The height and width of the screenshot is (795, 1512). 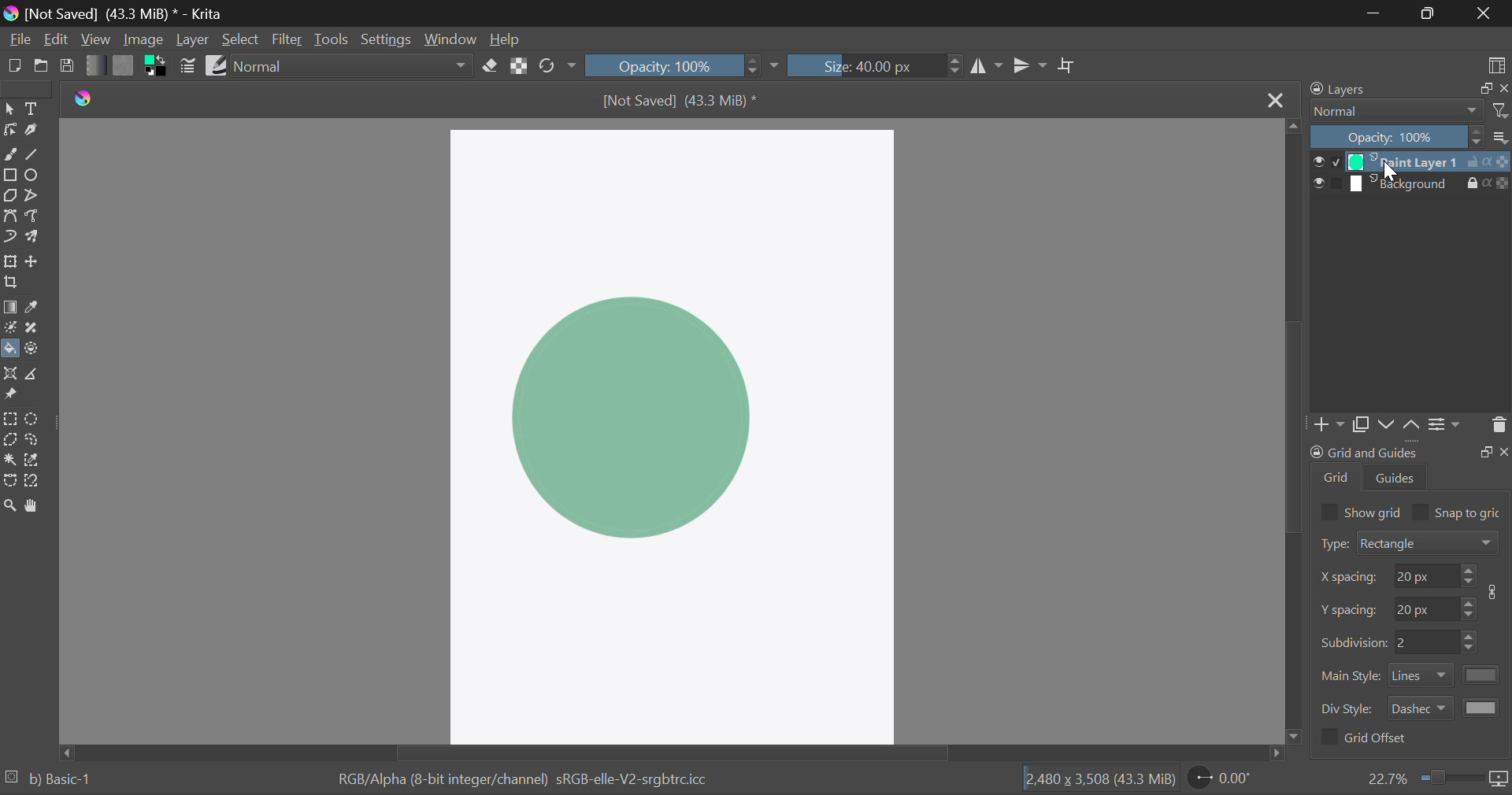 I want to click on Text, so click(x=31, y=109).